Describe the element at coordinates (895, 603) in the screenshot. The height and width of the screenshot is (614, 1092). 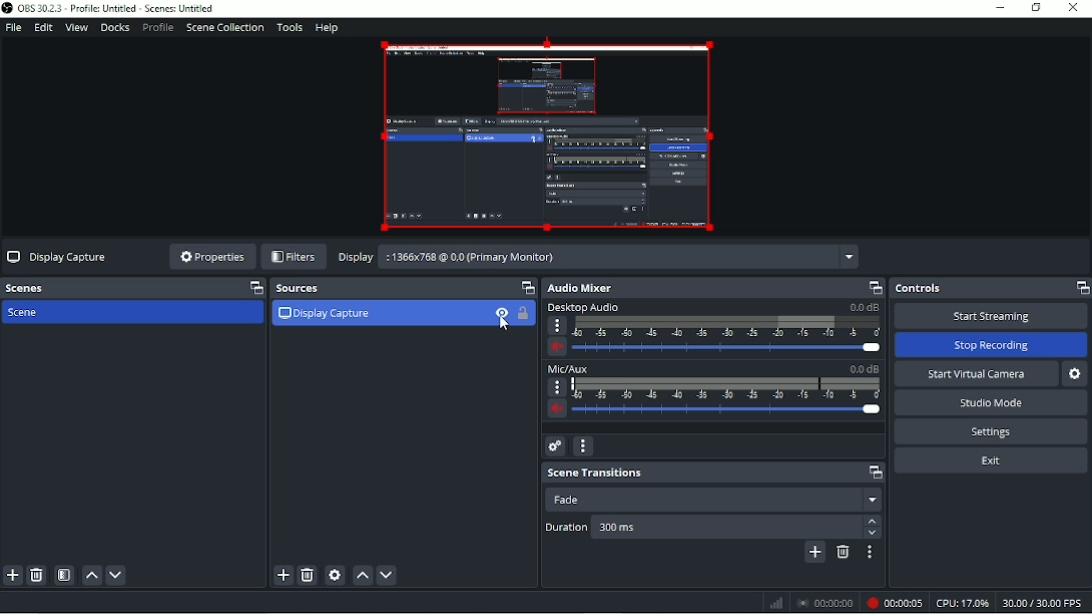
I see `Recording` at that location.